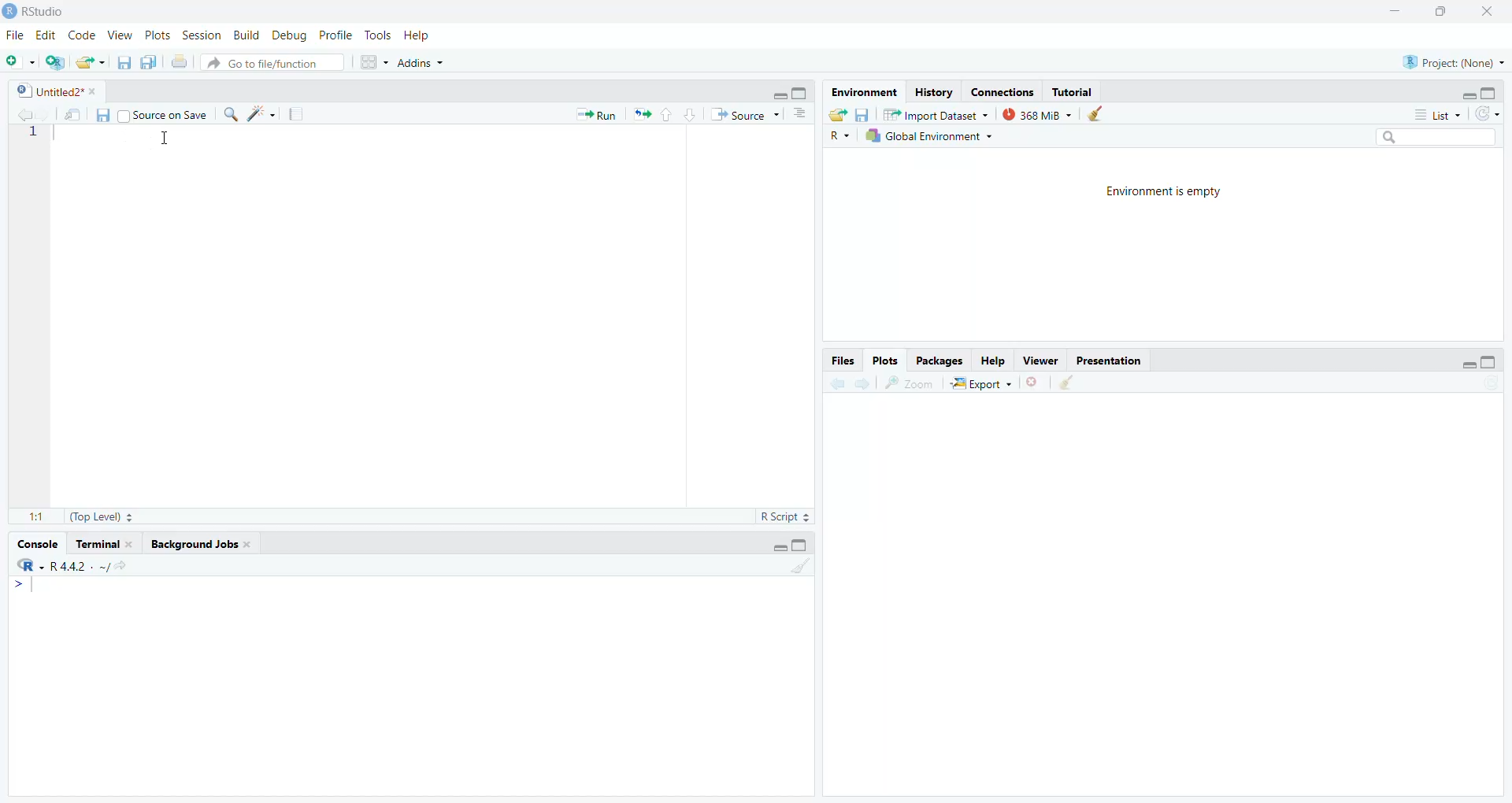 This screenshot has height=803, width=1512. Describe the element at coordinates (1001, 91) in the screenshot. I see `Connections` at that location.